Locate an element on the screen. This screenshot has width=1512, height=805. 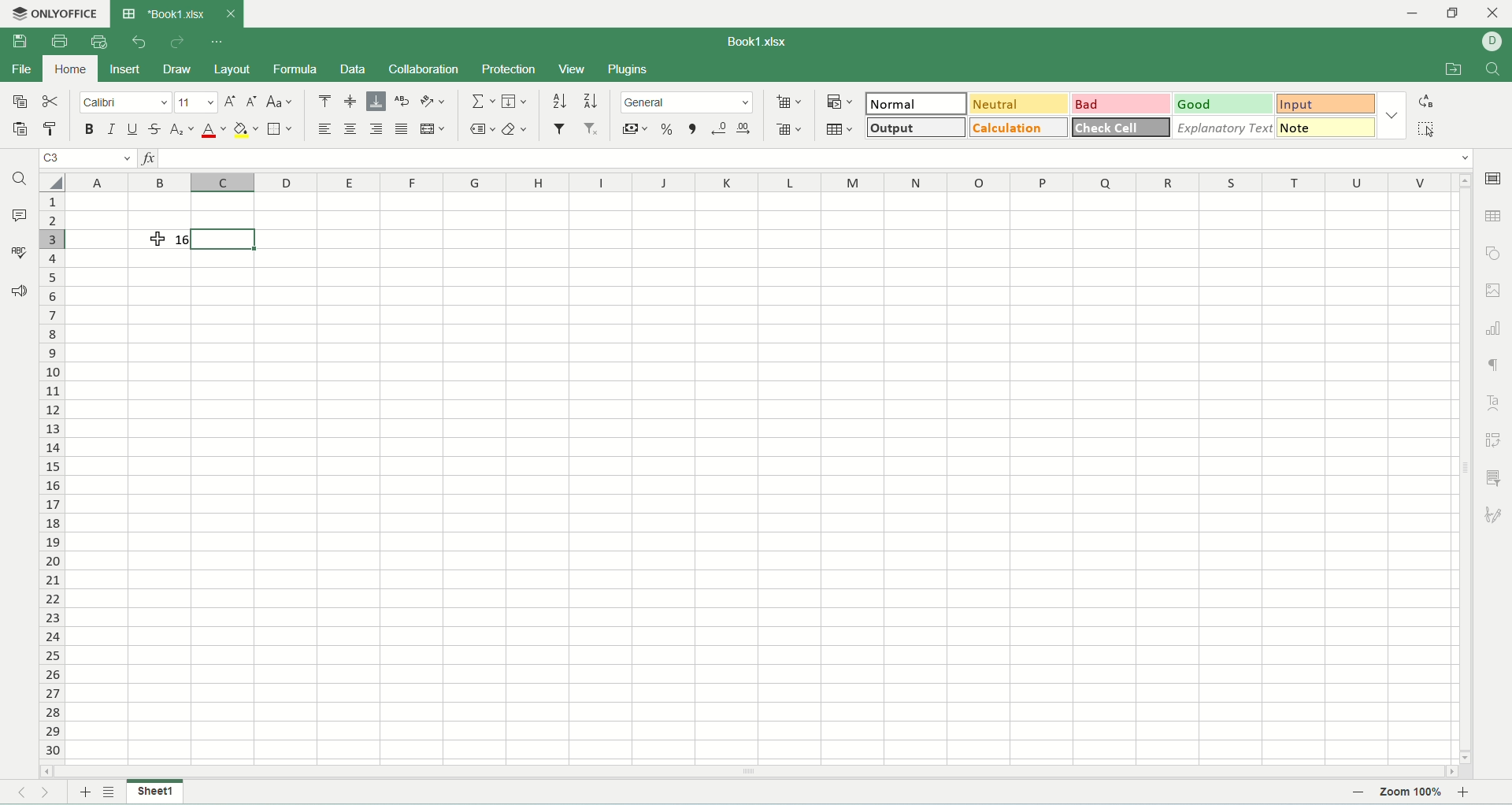
formatting marks is located at coordinates (1492, 365).